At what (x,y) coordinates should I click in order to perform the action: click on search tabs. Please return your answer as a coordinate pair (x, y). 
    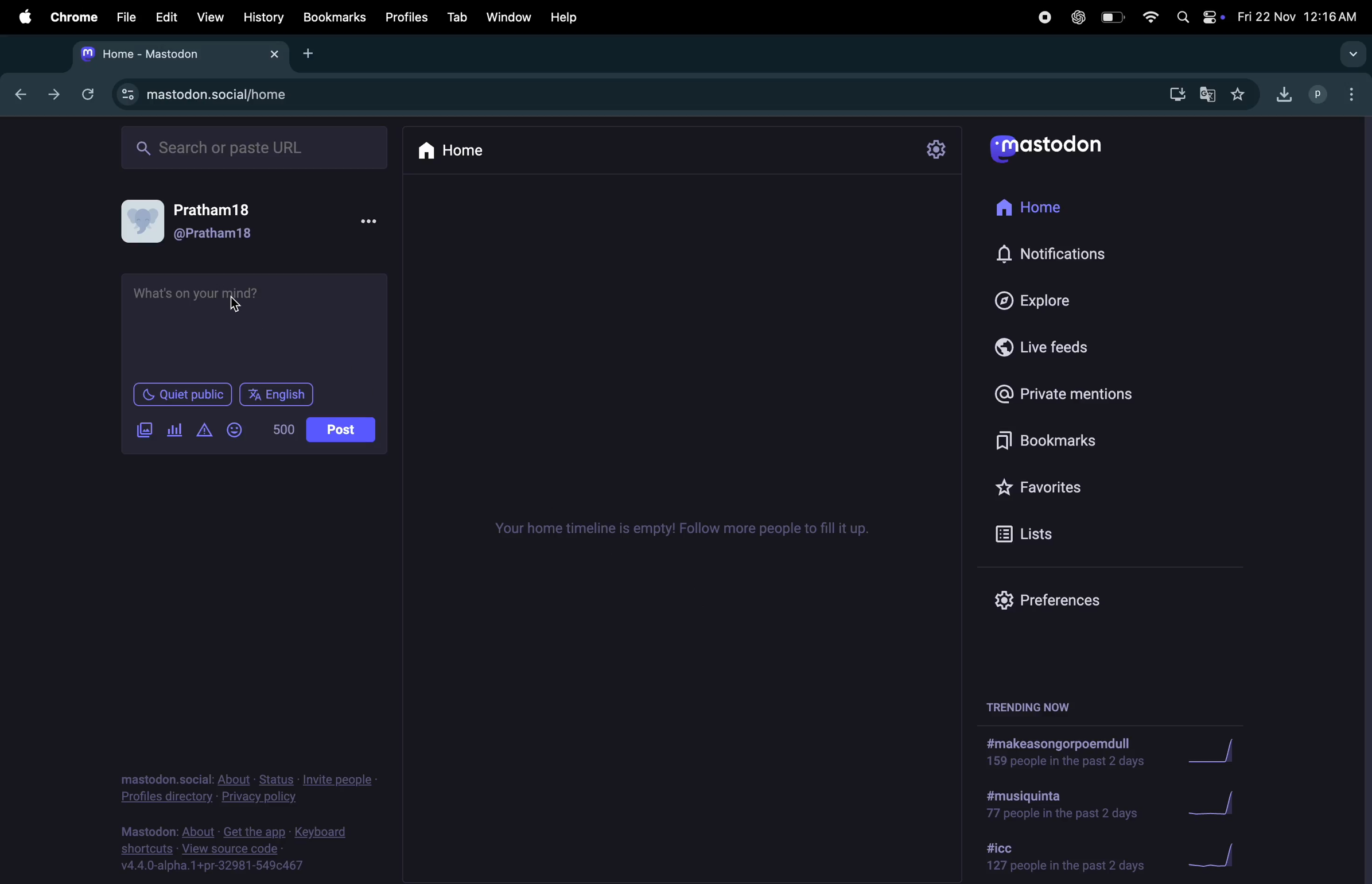
    Looking at the image, I should click on (1348, 55).